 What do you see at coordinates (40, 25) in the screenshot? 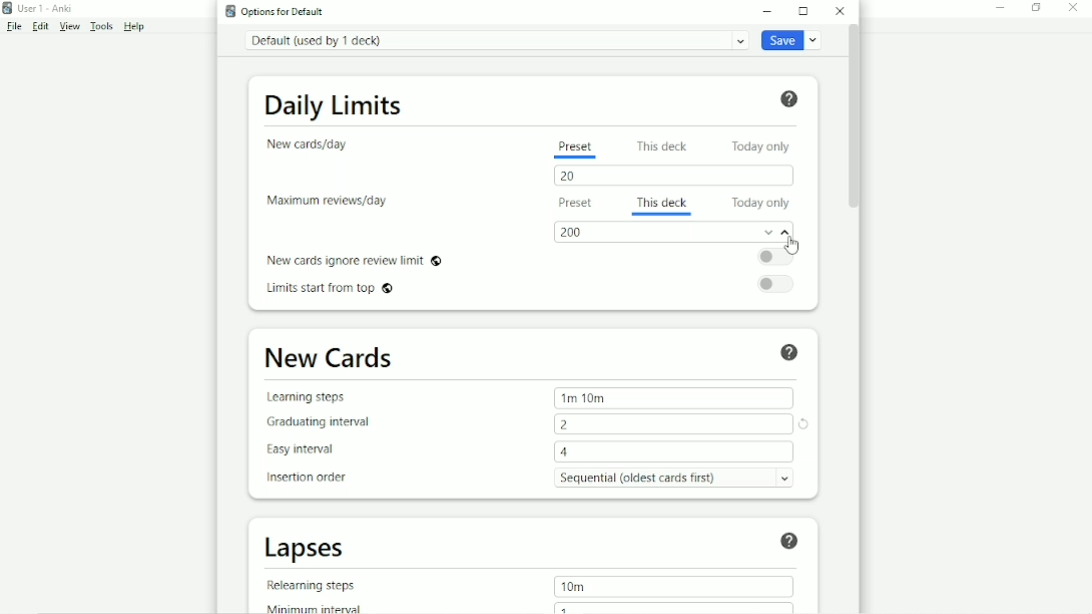
I see `Edit` at bounding box center [40, 25].